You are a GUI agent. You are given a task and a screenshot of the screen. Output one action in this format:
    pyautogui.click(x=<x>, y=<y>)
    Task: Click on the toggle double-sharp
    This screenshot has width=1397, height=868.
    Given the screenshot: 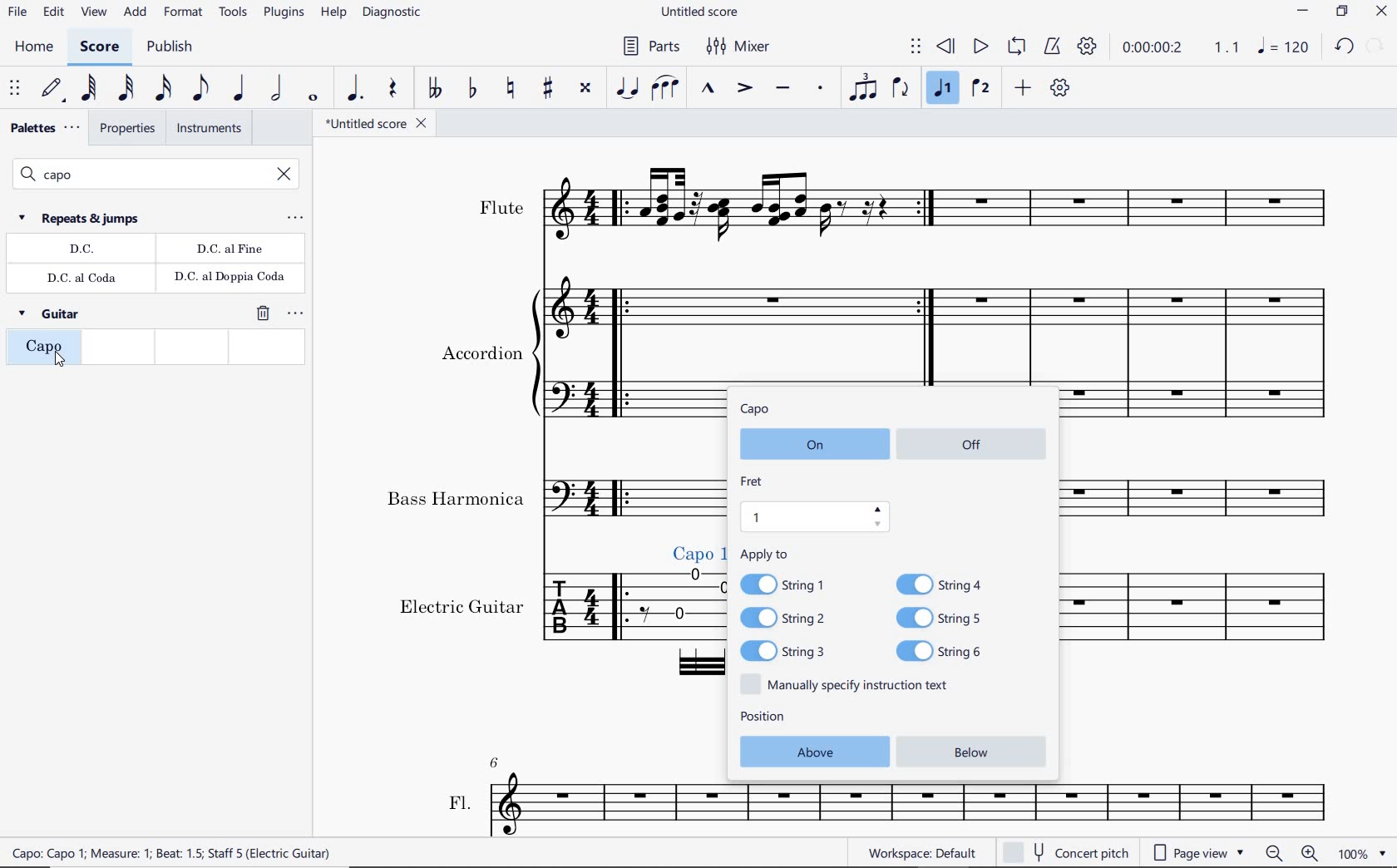 What is the action you would take?
    pyautogui.click(x=587, y=88)
    